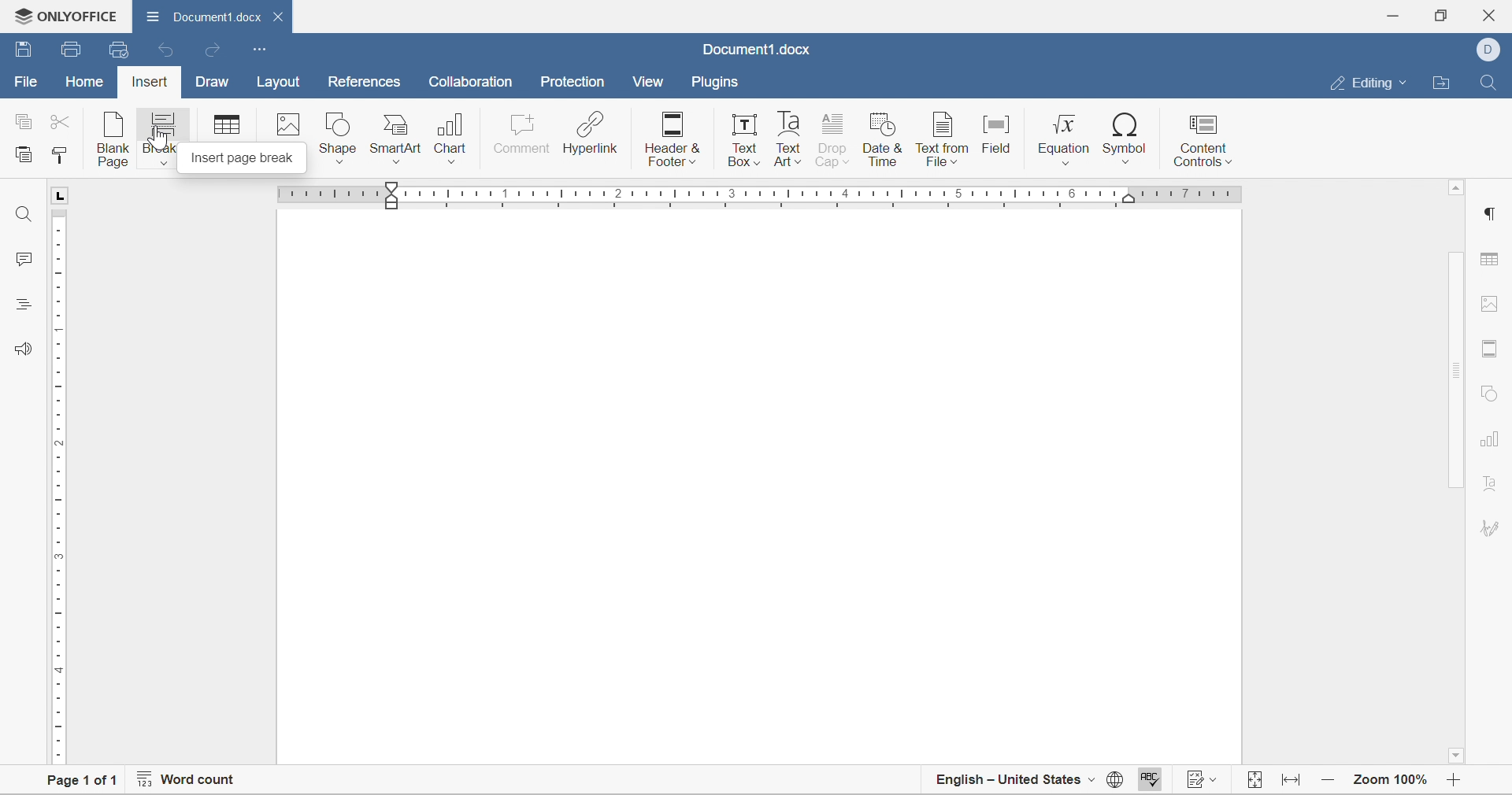 The height and width of the screenshot is (795, 1512). I want to click on Paragraph settings, so click(1492, 214).